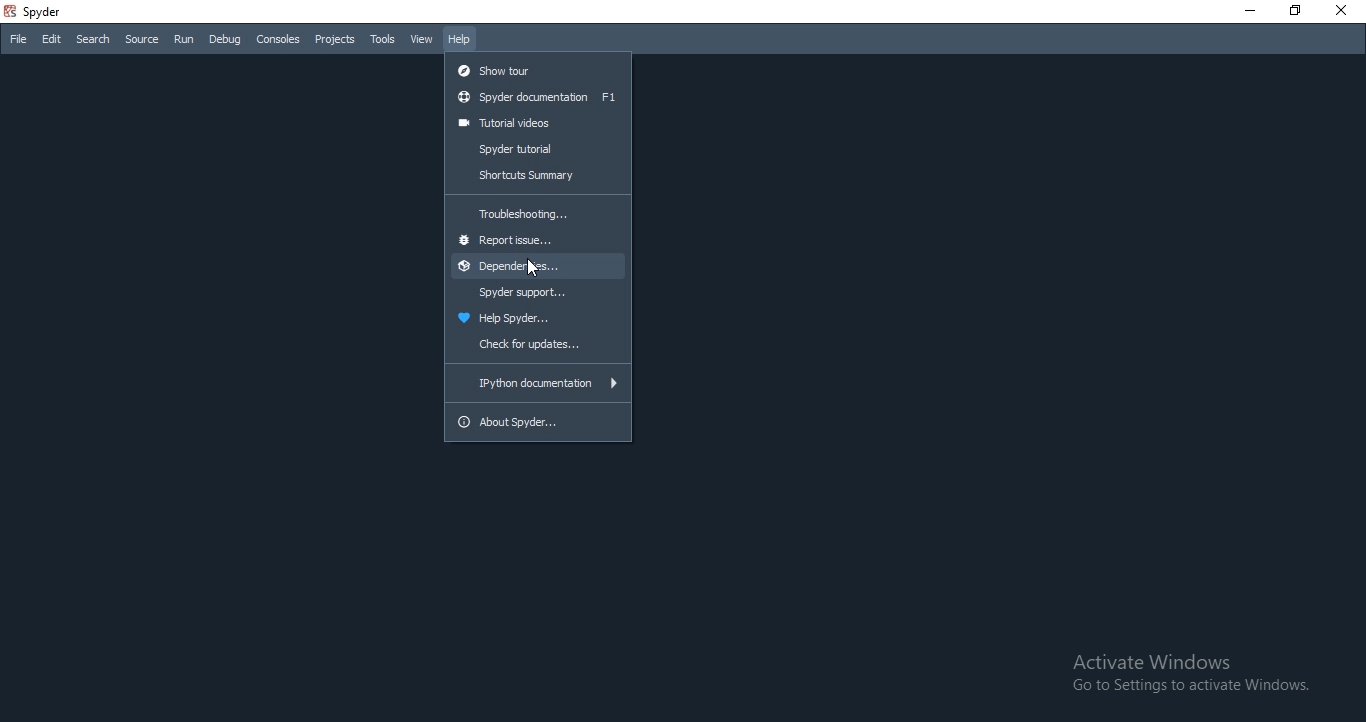 This screenshot has width=1366, height=722. Describe the element at coordinates (537, 214) in the screenshot. I see `troubleshooting` at that location.